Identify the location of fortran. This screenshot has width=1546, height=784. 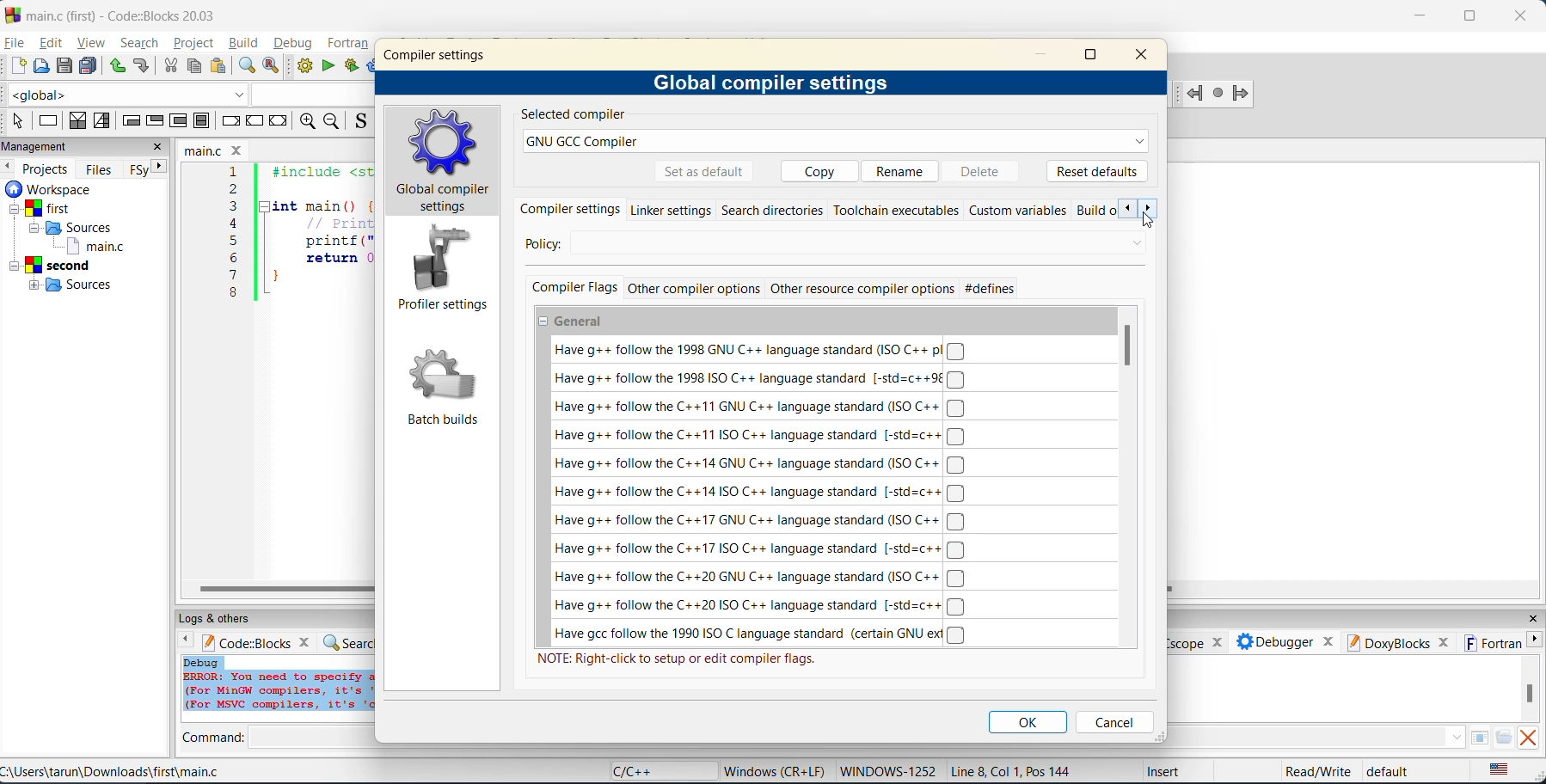
(350, 44).